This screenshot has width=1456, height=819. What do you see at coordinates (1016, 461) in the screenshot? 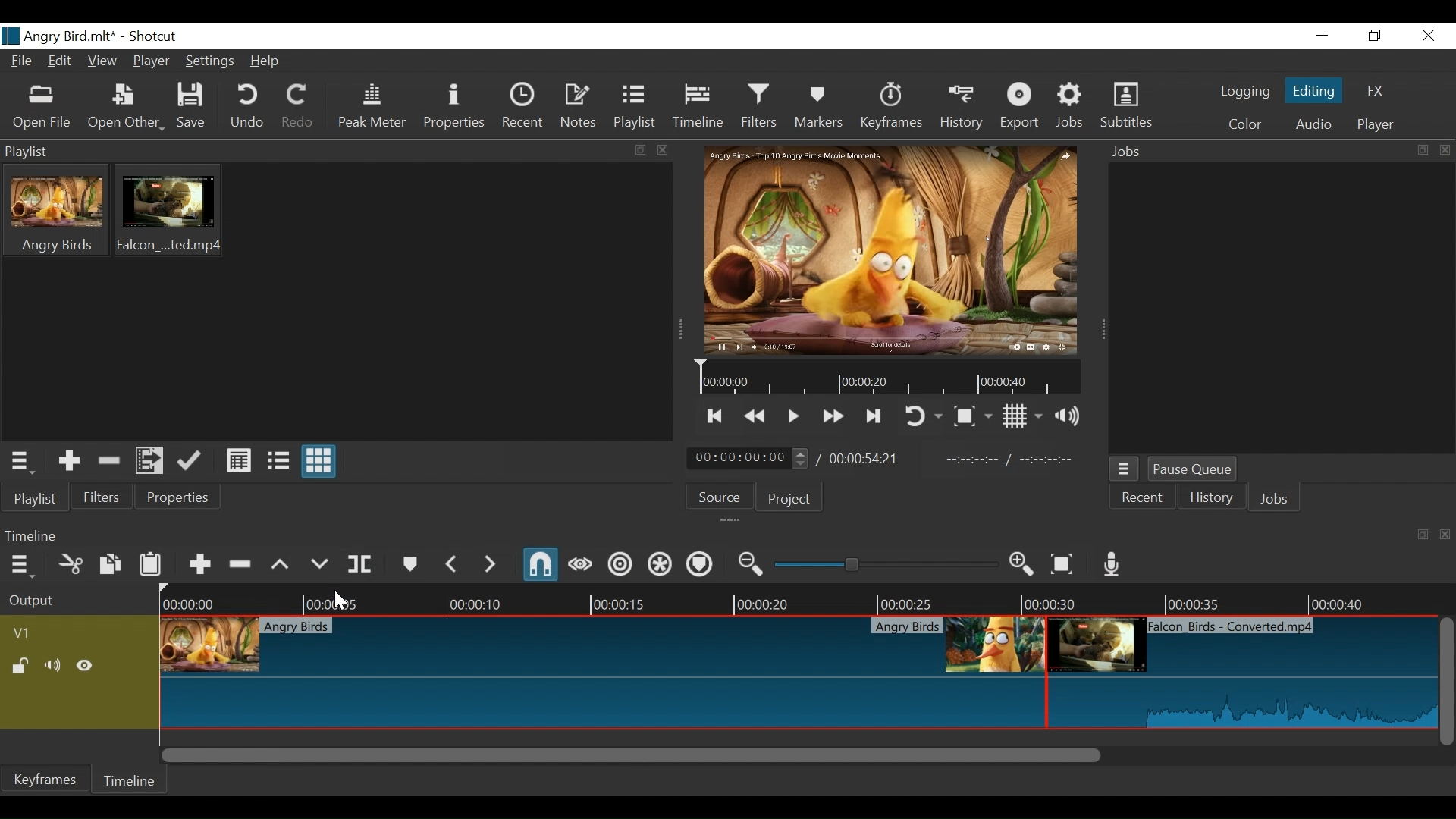
I see `In point` at bounding box center [1016, 461].